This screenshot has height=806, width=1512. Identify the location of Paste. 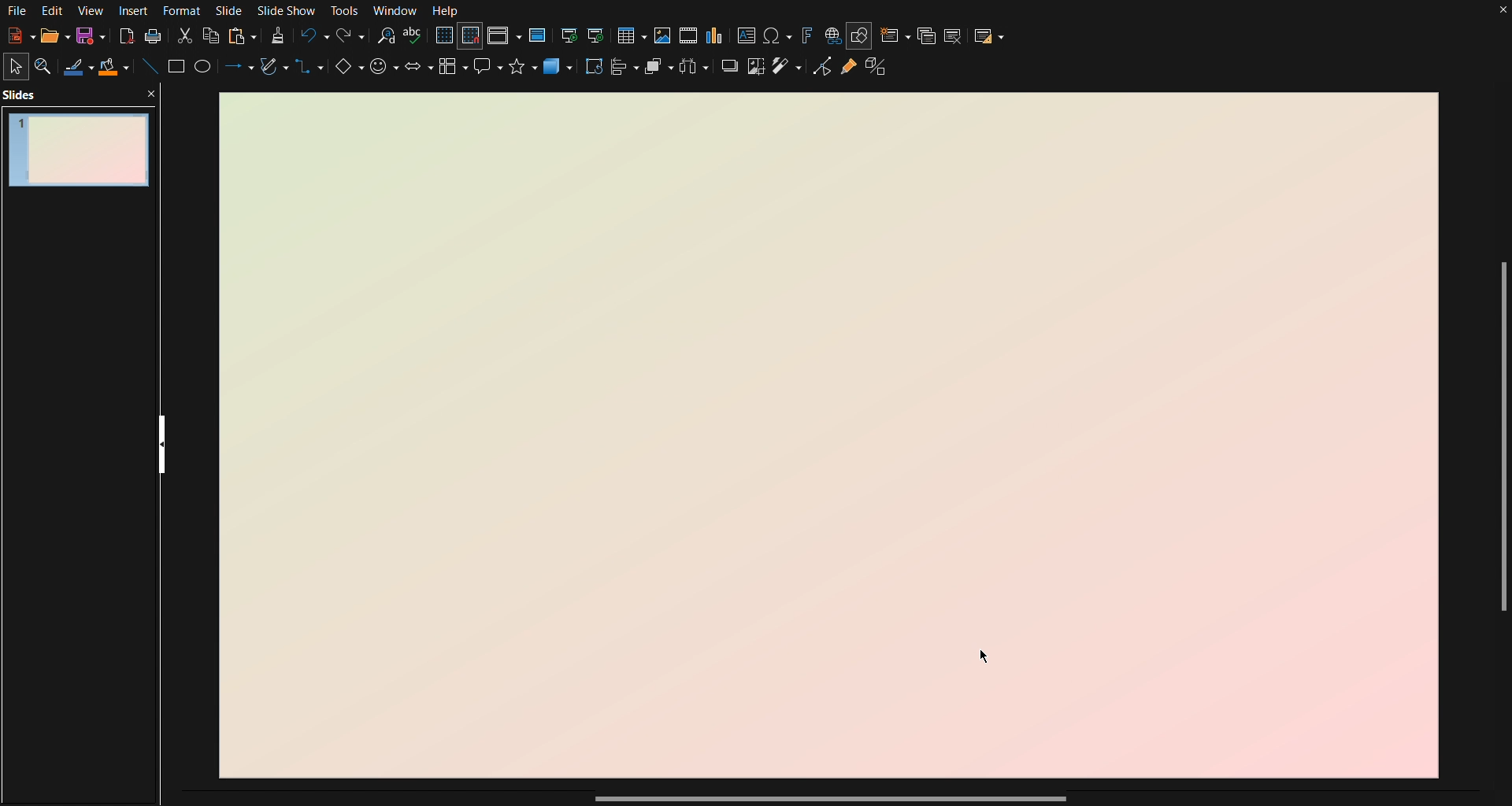
(242, 35).